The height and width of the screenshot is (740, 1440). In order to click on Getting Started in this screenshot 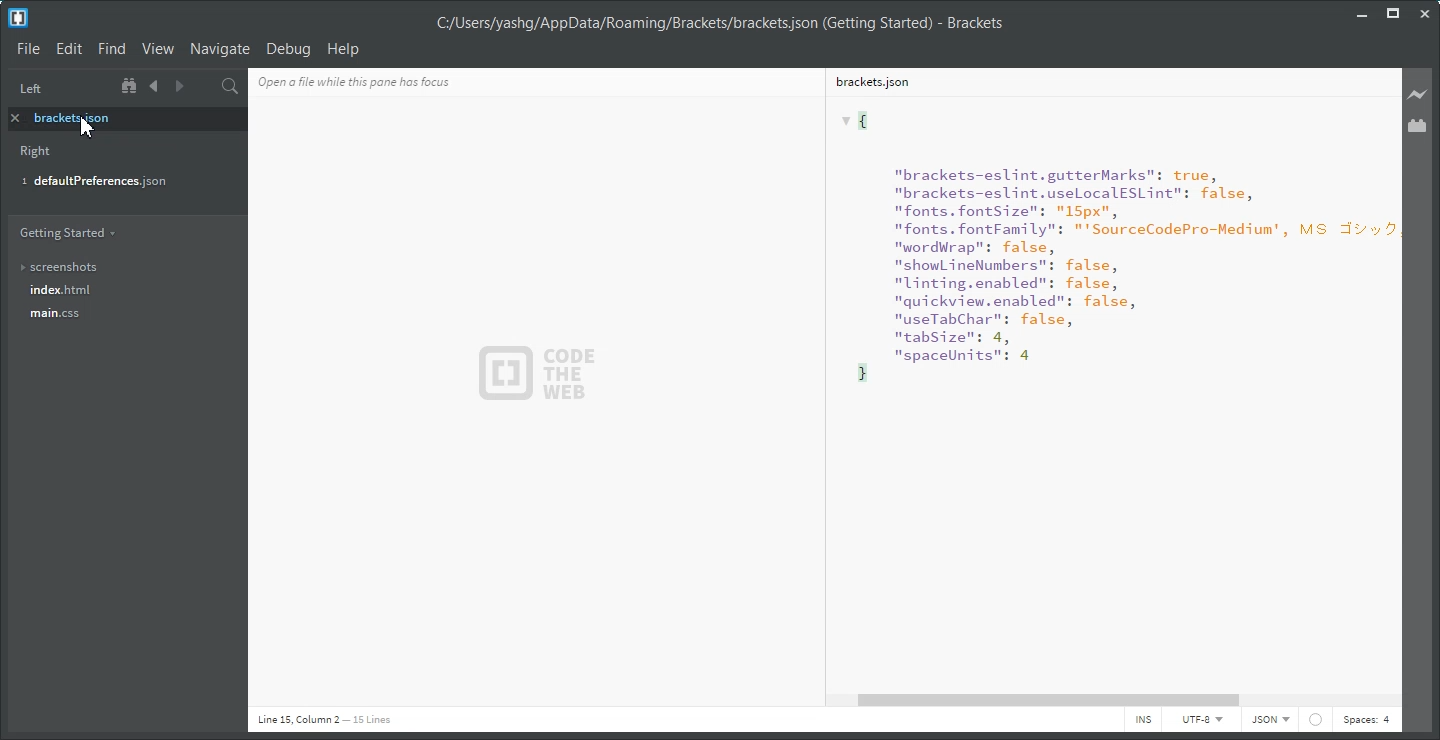, I will do `click(67, 232)`.